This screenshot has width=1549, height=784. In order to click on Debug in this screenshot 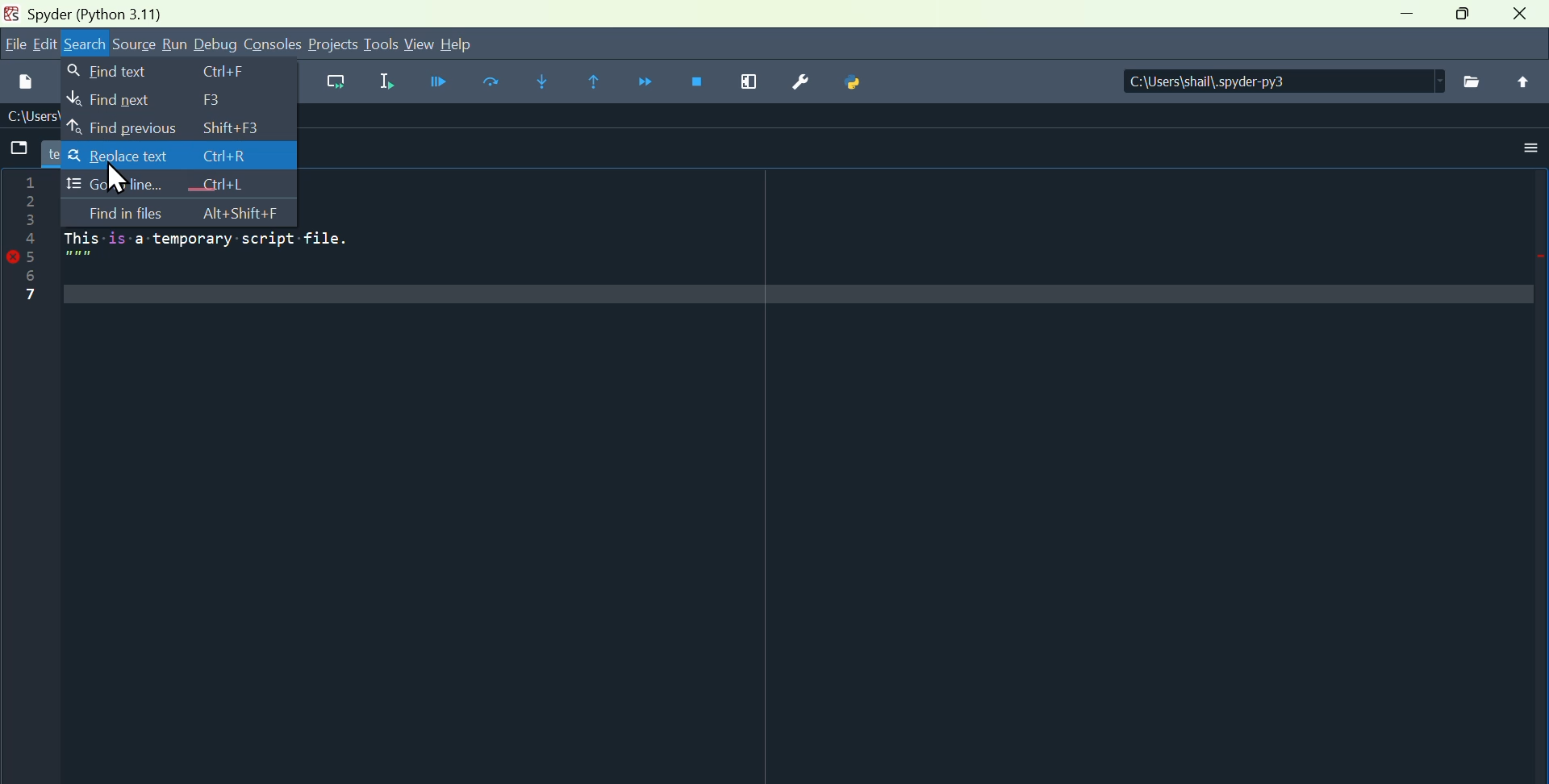, I will do `click(218, 47)`.